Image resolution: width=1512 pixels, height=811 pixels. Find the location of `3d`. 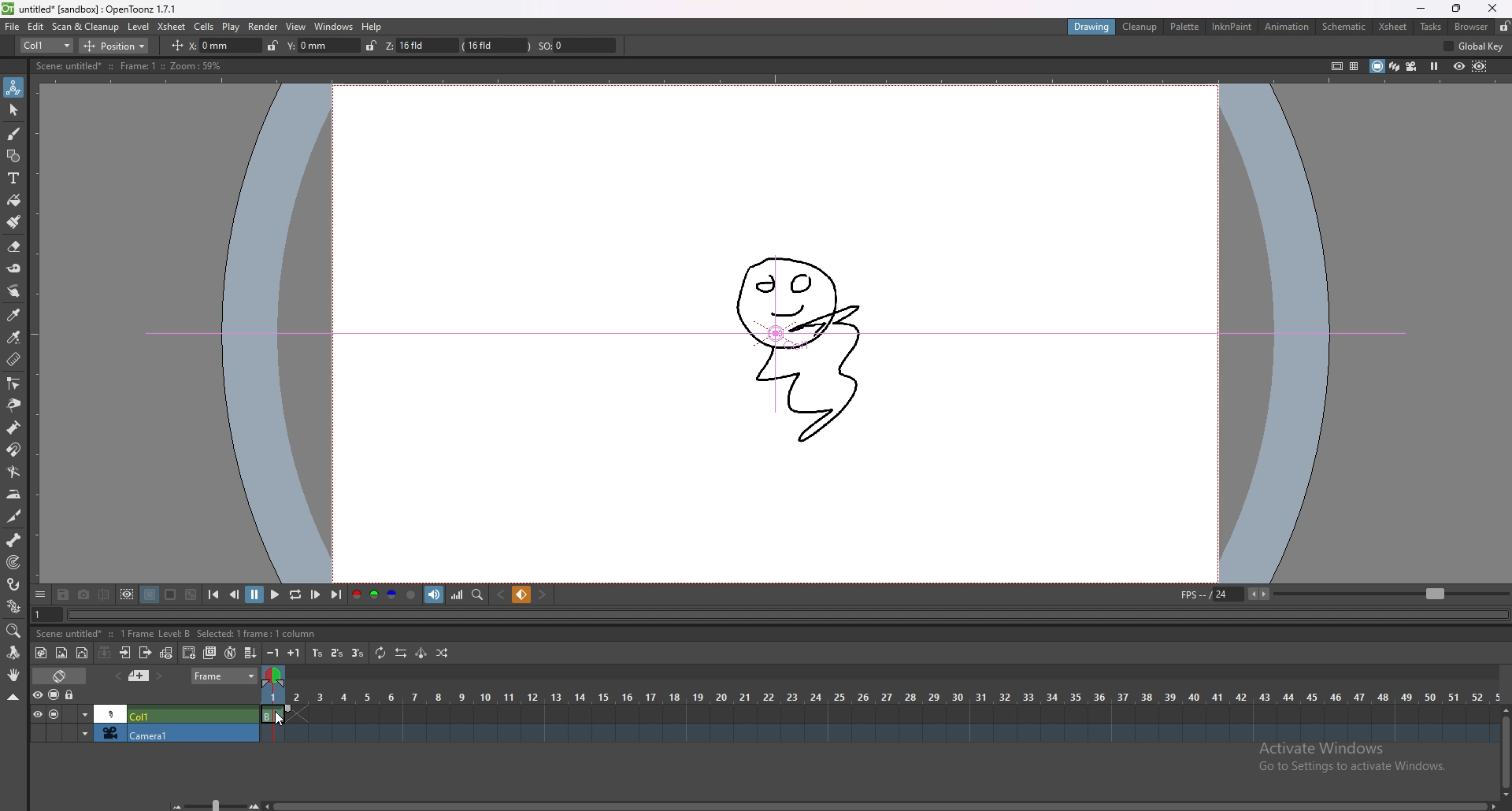

3d is located at coordinates (1394, 66).